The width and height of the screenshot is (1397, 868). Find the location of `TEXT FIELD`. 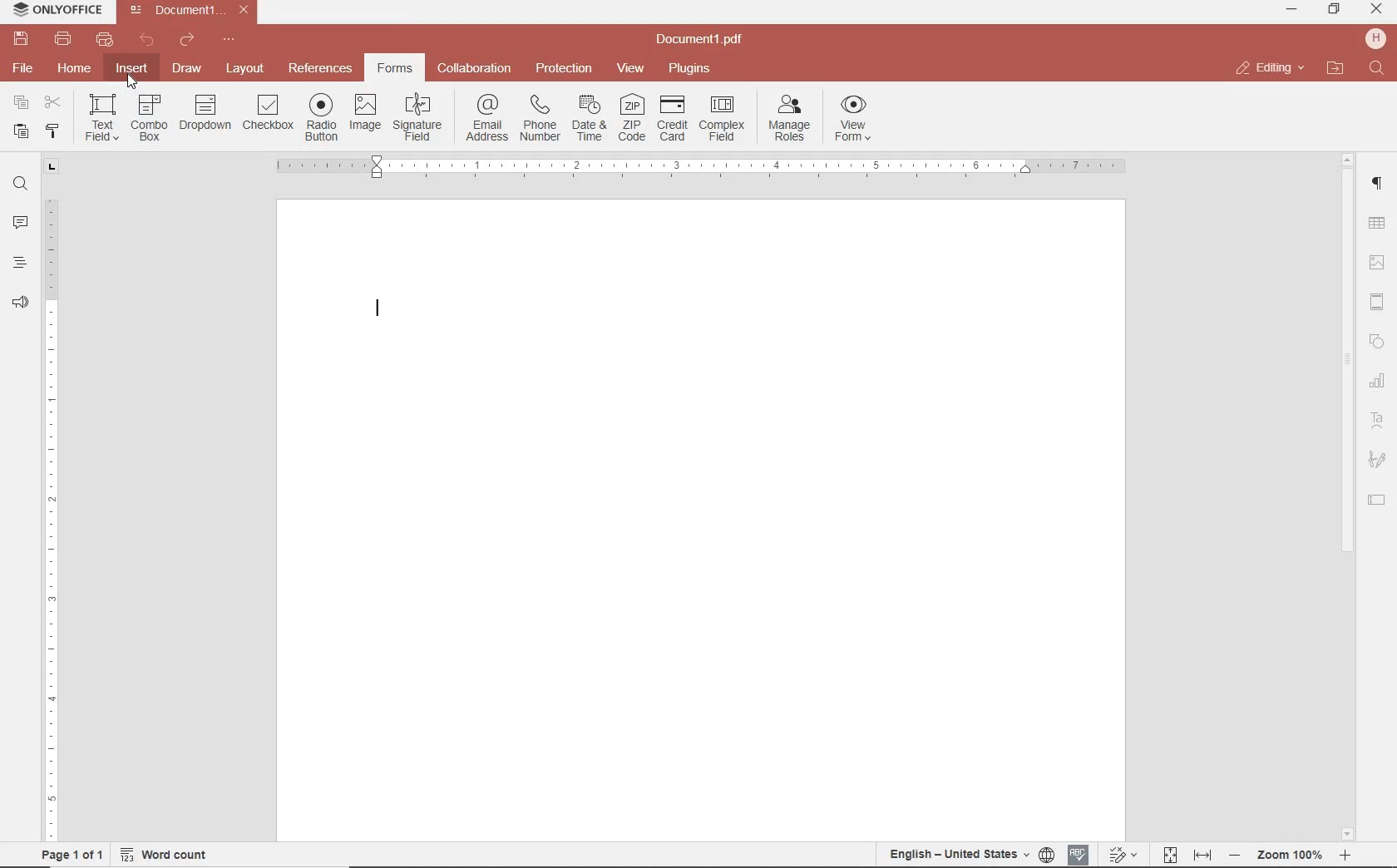

TEXT FIELD is located at coordinates (1377, 499).